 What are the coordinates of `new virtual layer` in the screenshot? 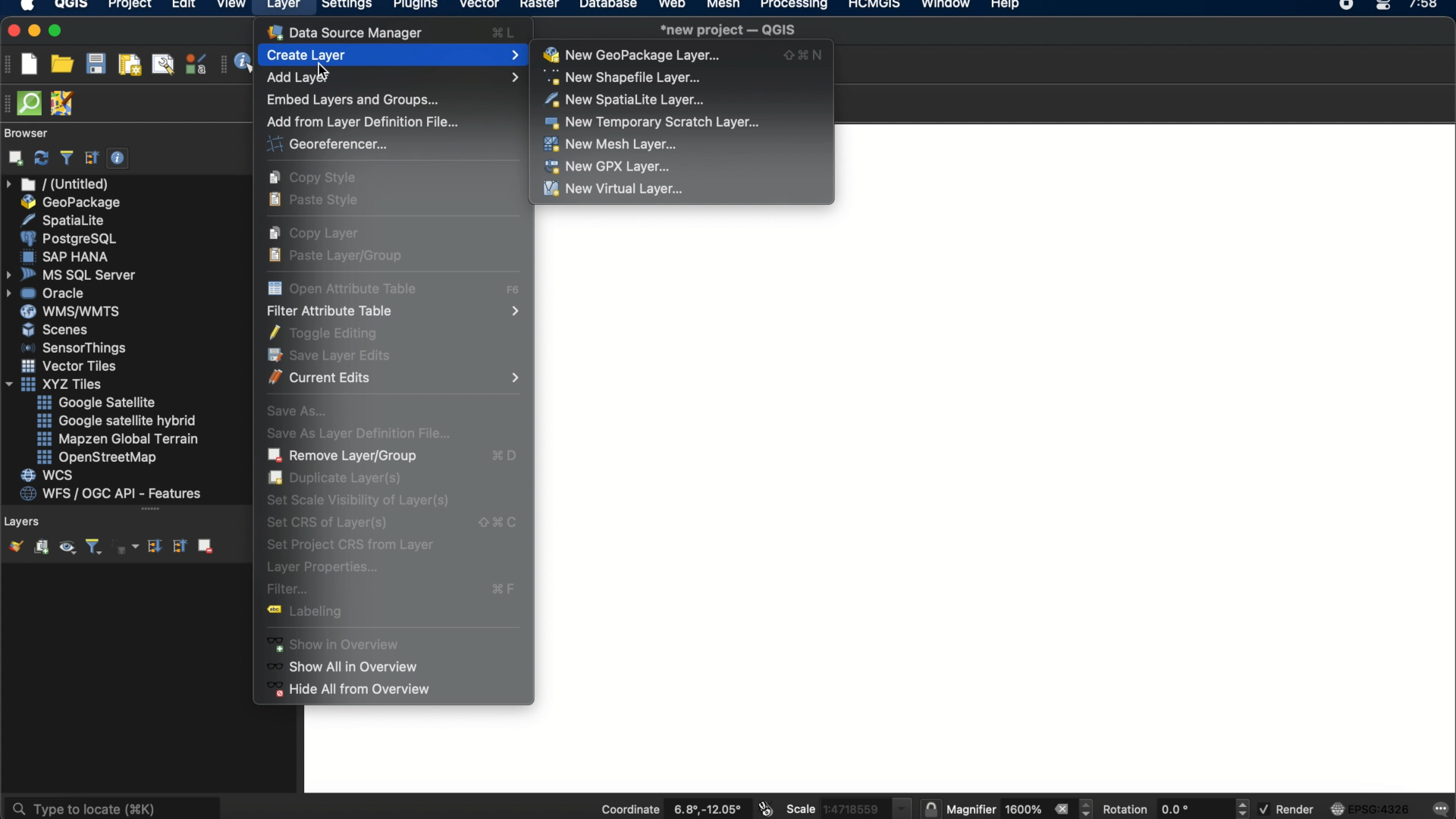 It's located at (611, 190).